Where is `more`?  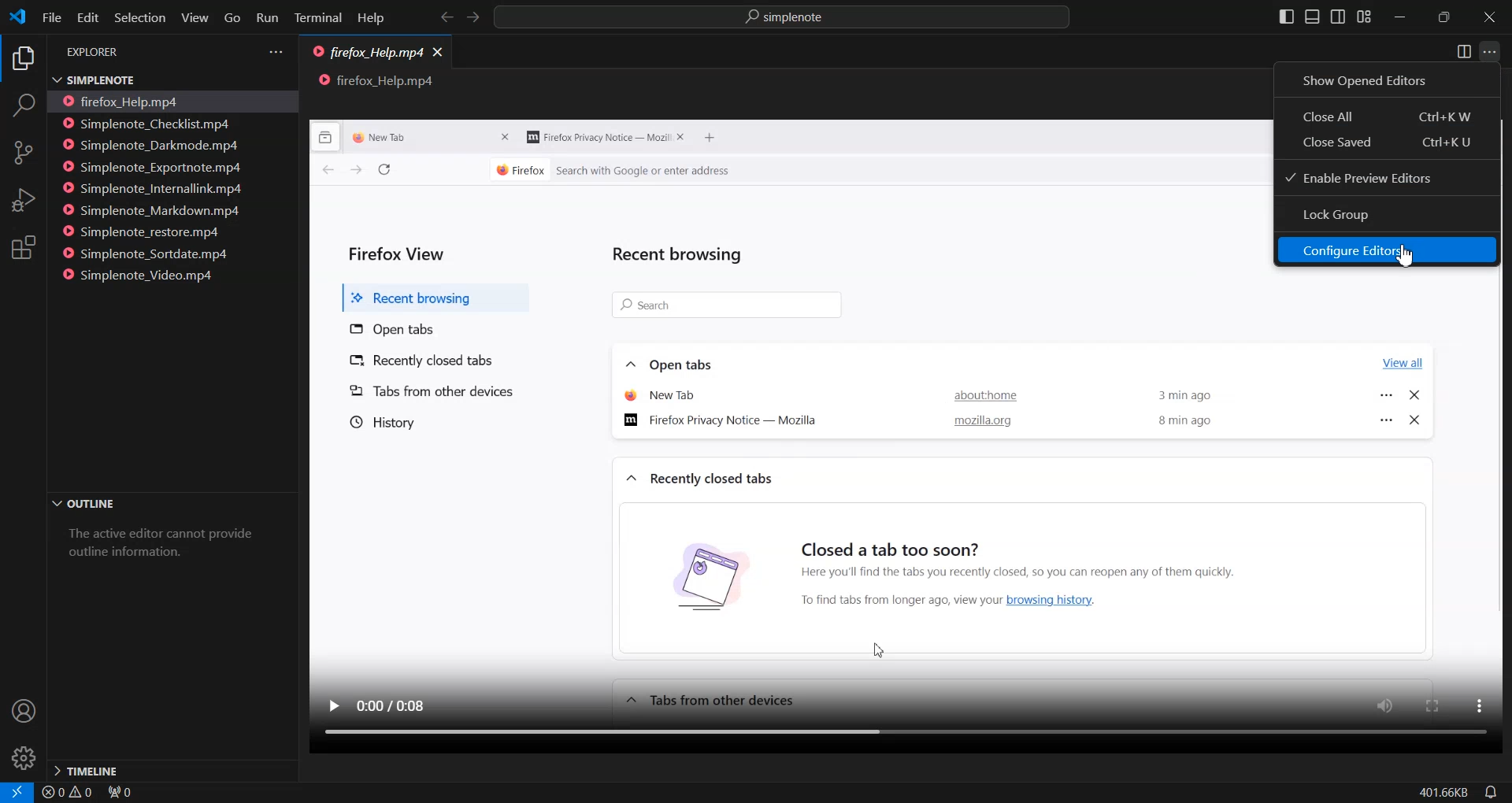
more is located at coordinates (1387, 391).